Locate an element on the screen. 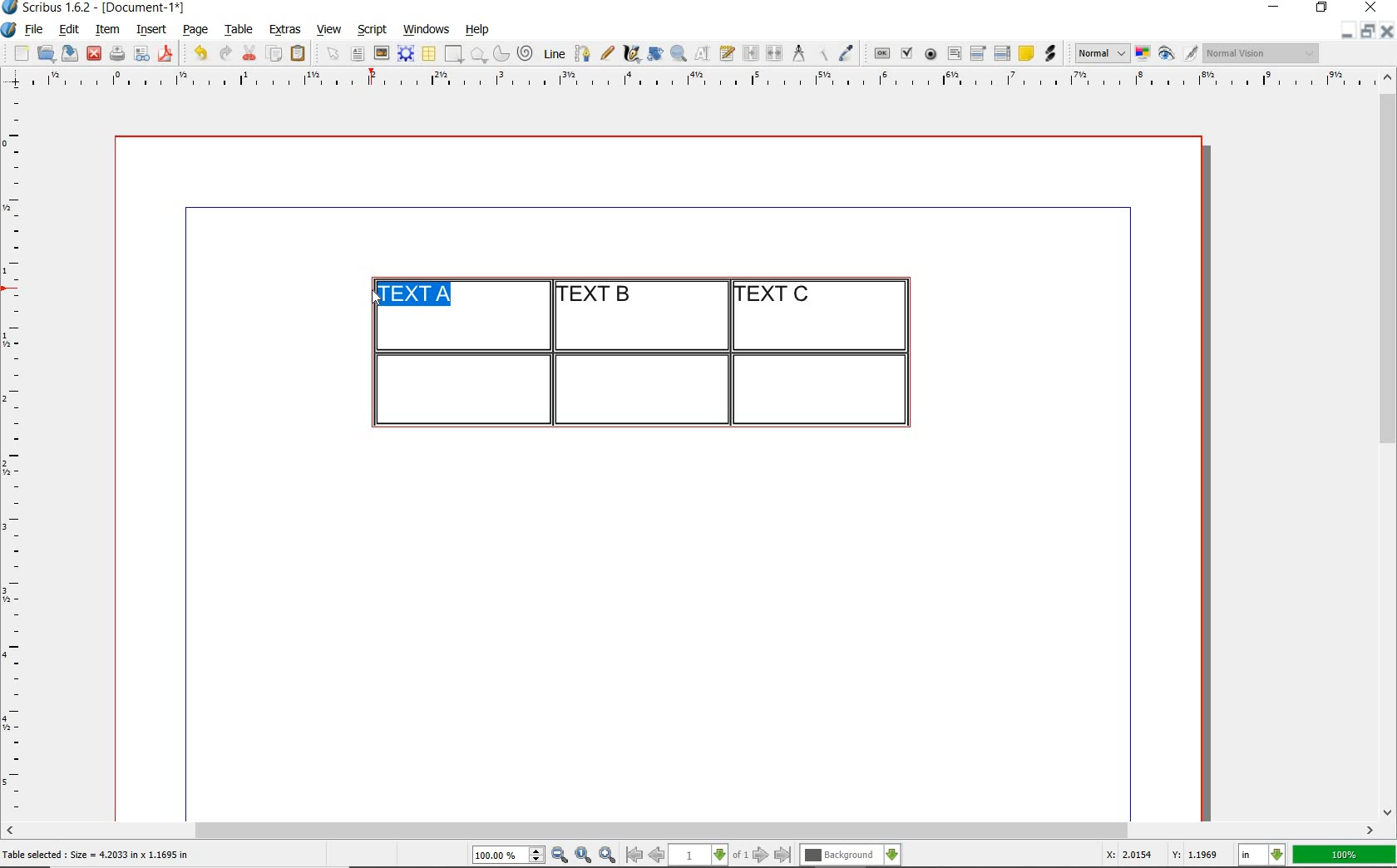 The width and height of the screenshot is (1397, 868). table is located at coordinates (239, 30).